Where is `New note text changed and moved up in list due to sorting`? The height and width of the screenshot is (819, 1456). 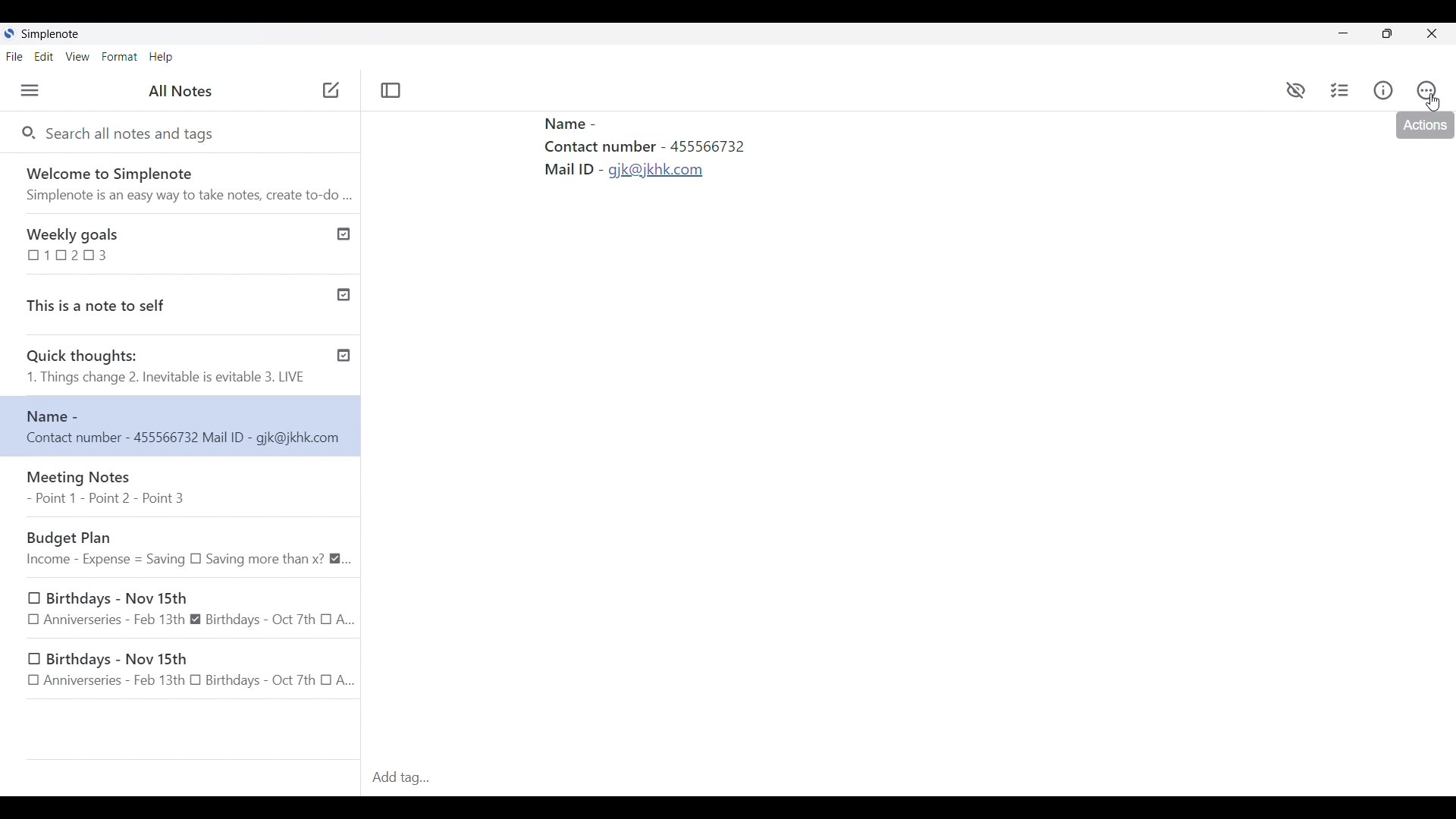
New note text changed and moved up in list due to sorting is located at coordinates (180, 425).